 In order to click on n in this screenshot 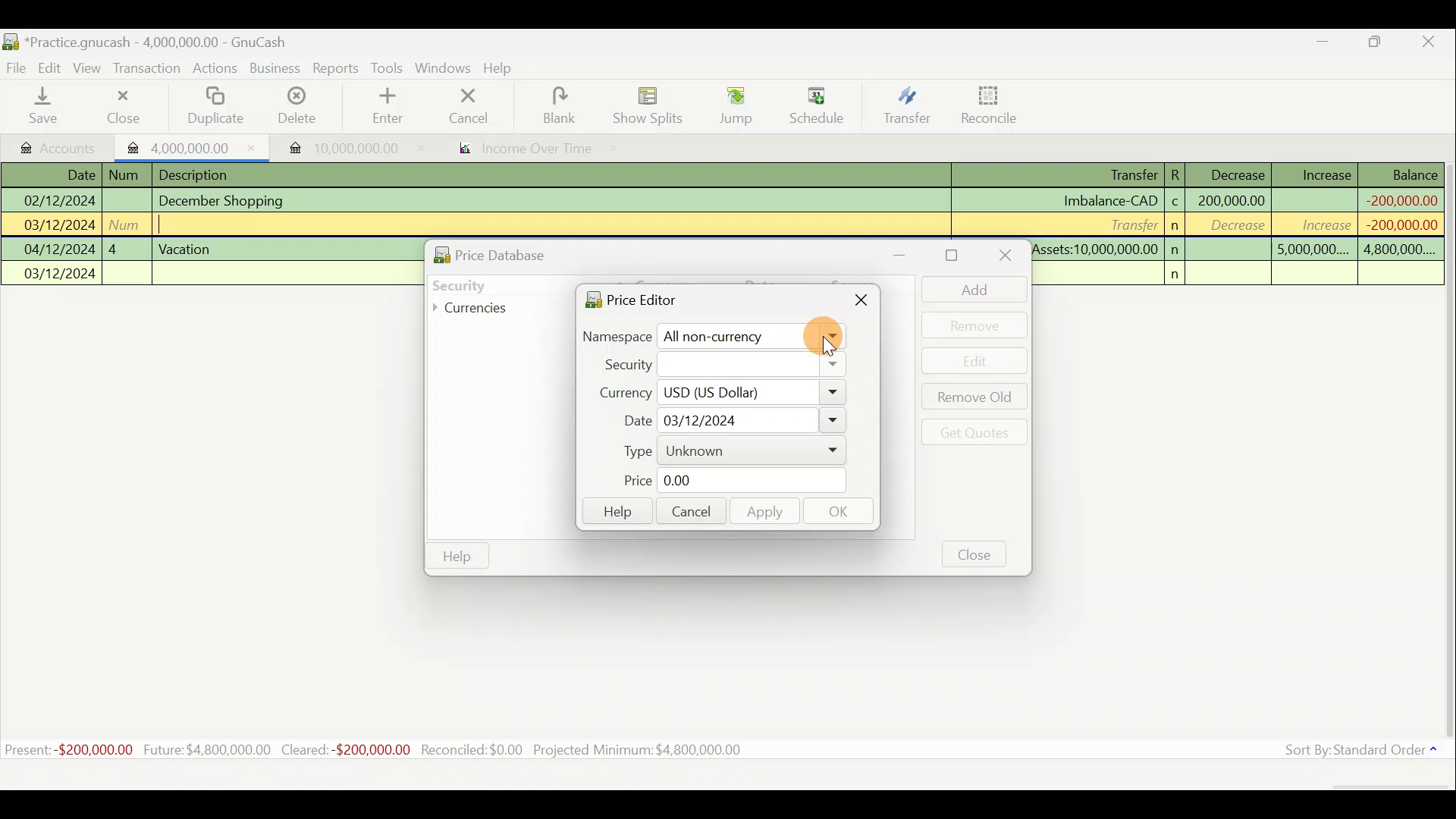, I will do `click(1180, 275)`.